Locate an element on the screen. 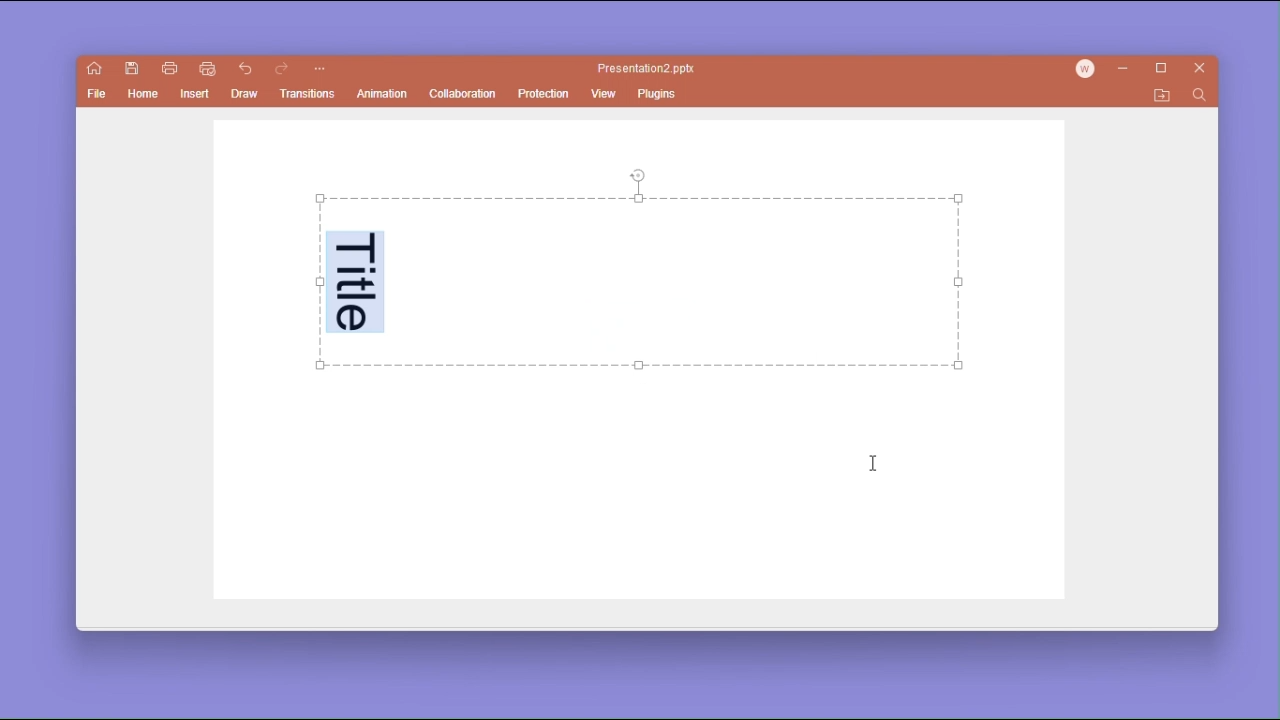 This screenshot has width=1280, height=720. close is located at coordinates (1201, 70).